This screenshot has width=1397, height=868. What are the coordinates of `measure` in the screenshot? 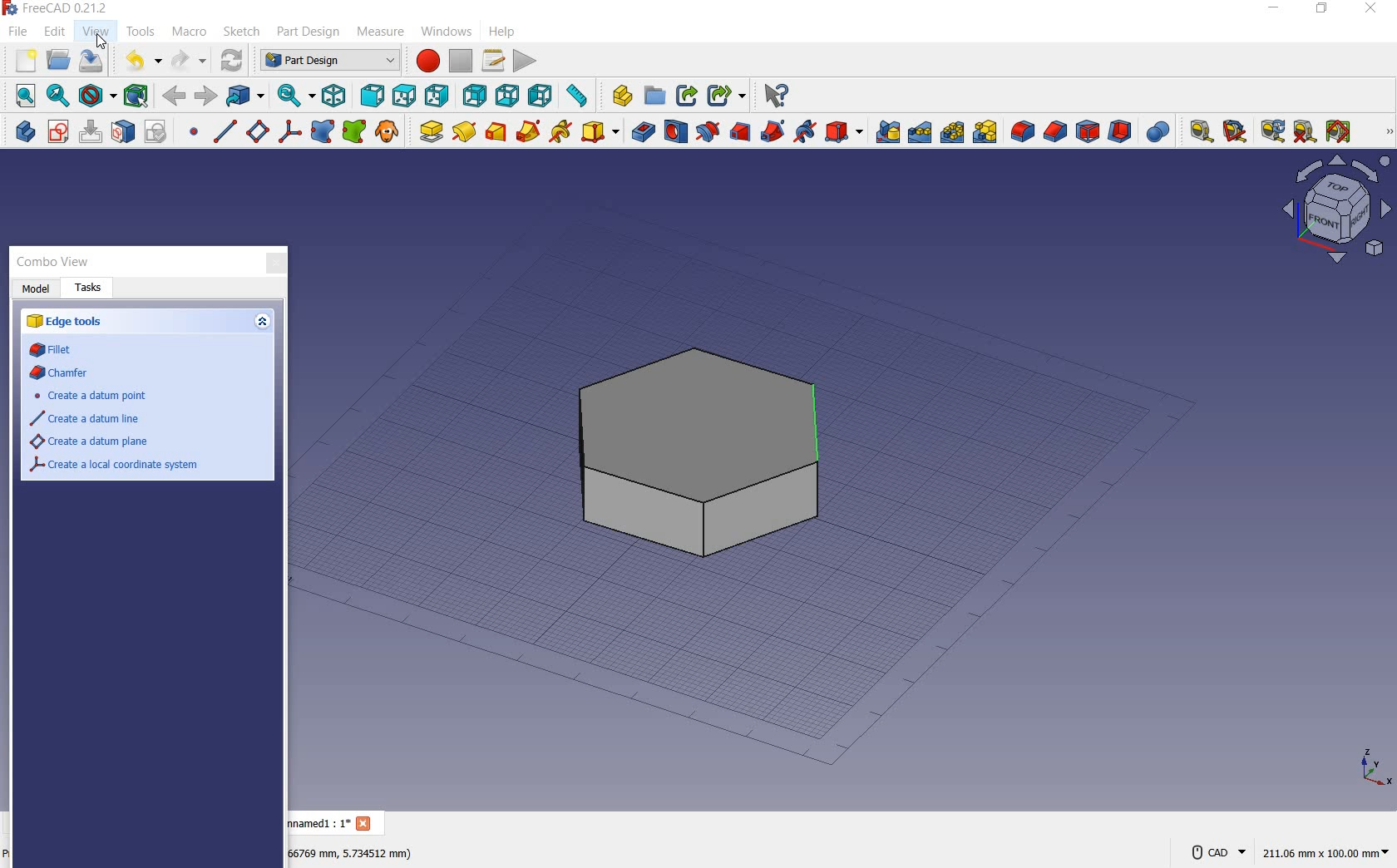 It's located at (382, 31).